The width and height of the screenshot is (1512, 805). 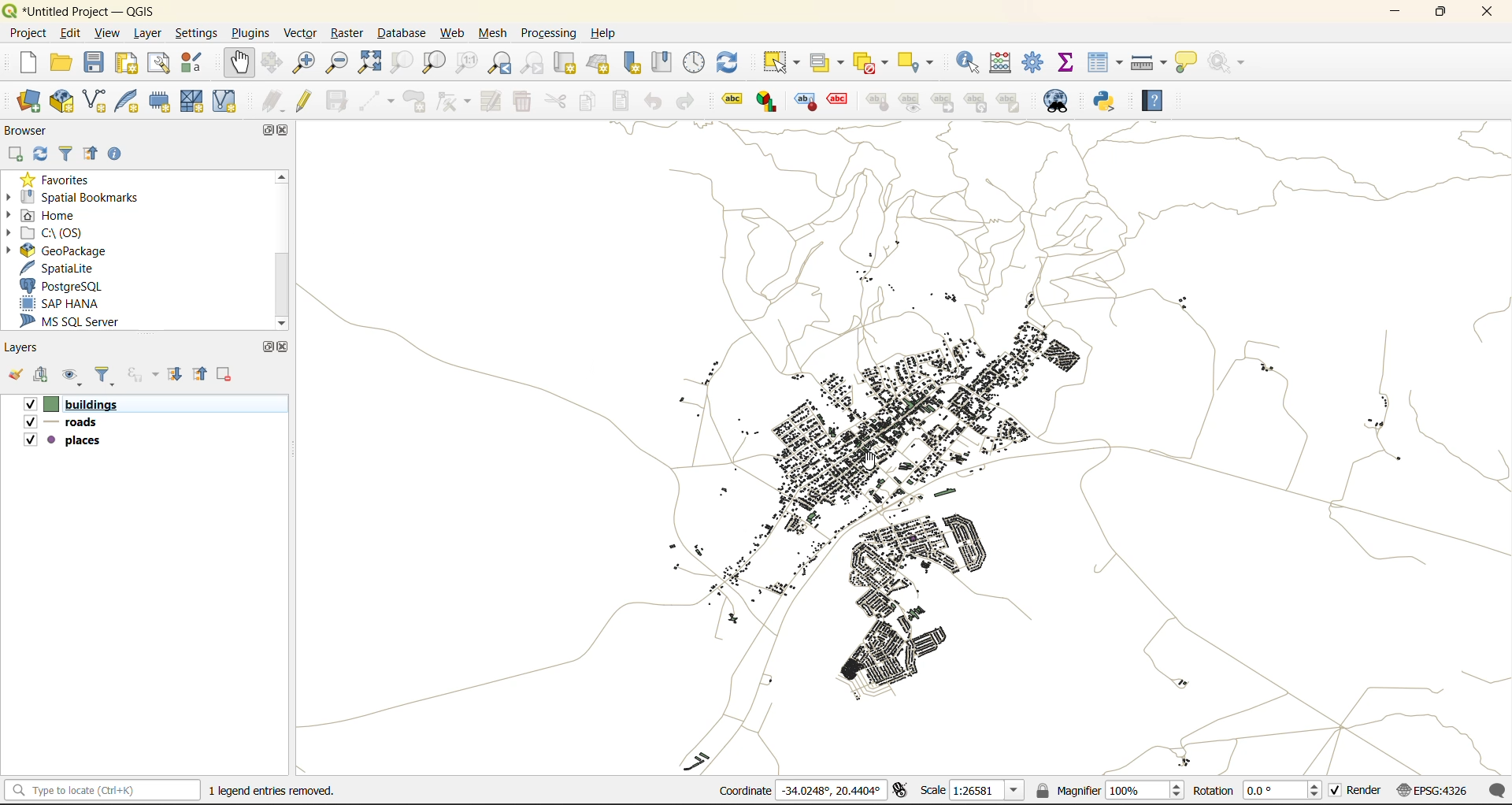 I want to click on log messages, so click(x=1498, y=791).